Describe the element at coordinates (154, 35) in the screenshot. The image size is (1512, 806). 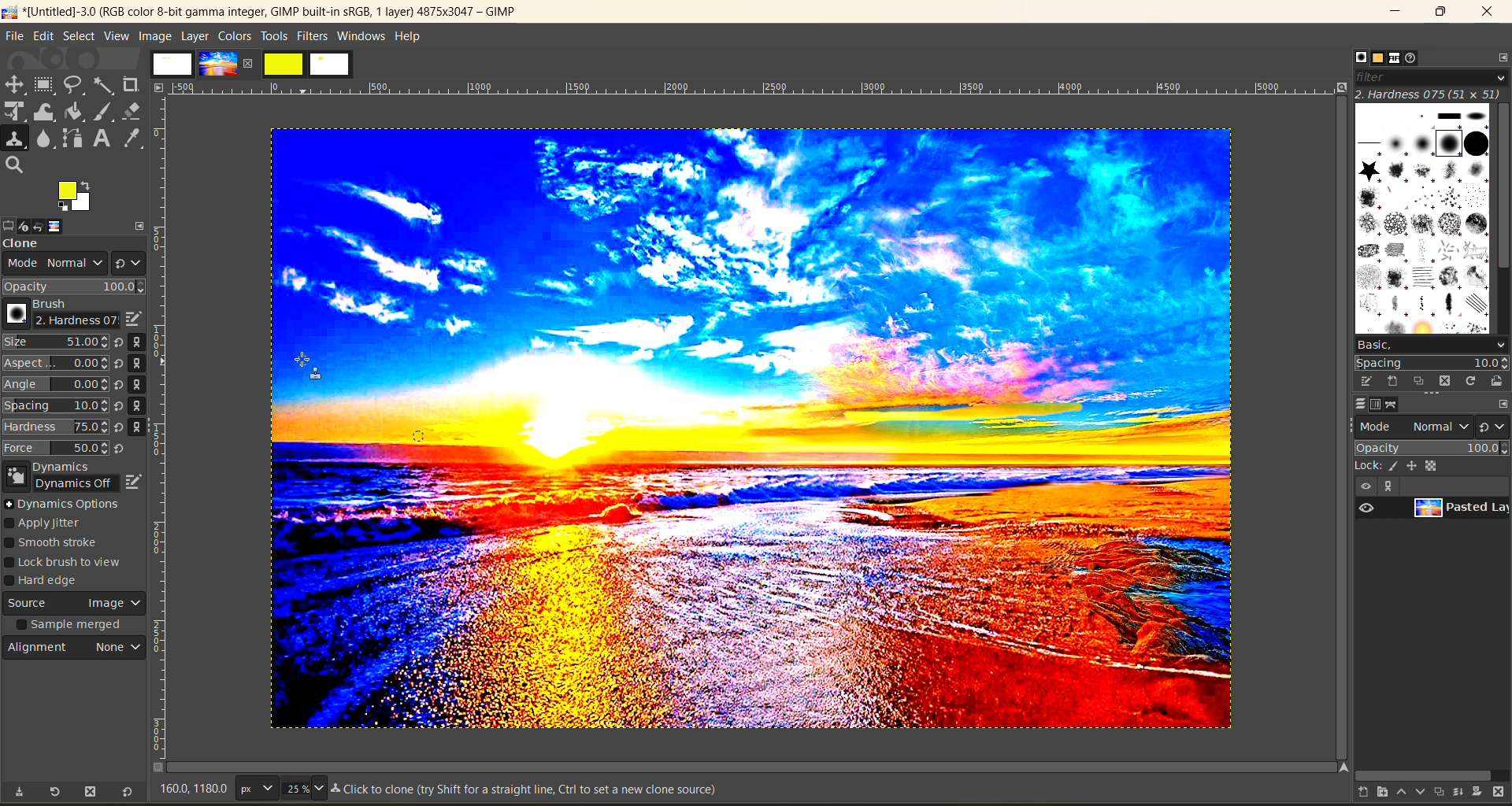
I see `image` at that location.